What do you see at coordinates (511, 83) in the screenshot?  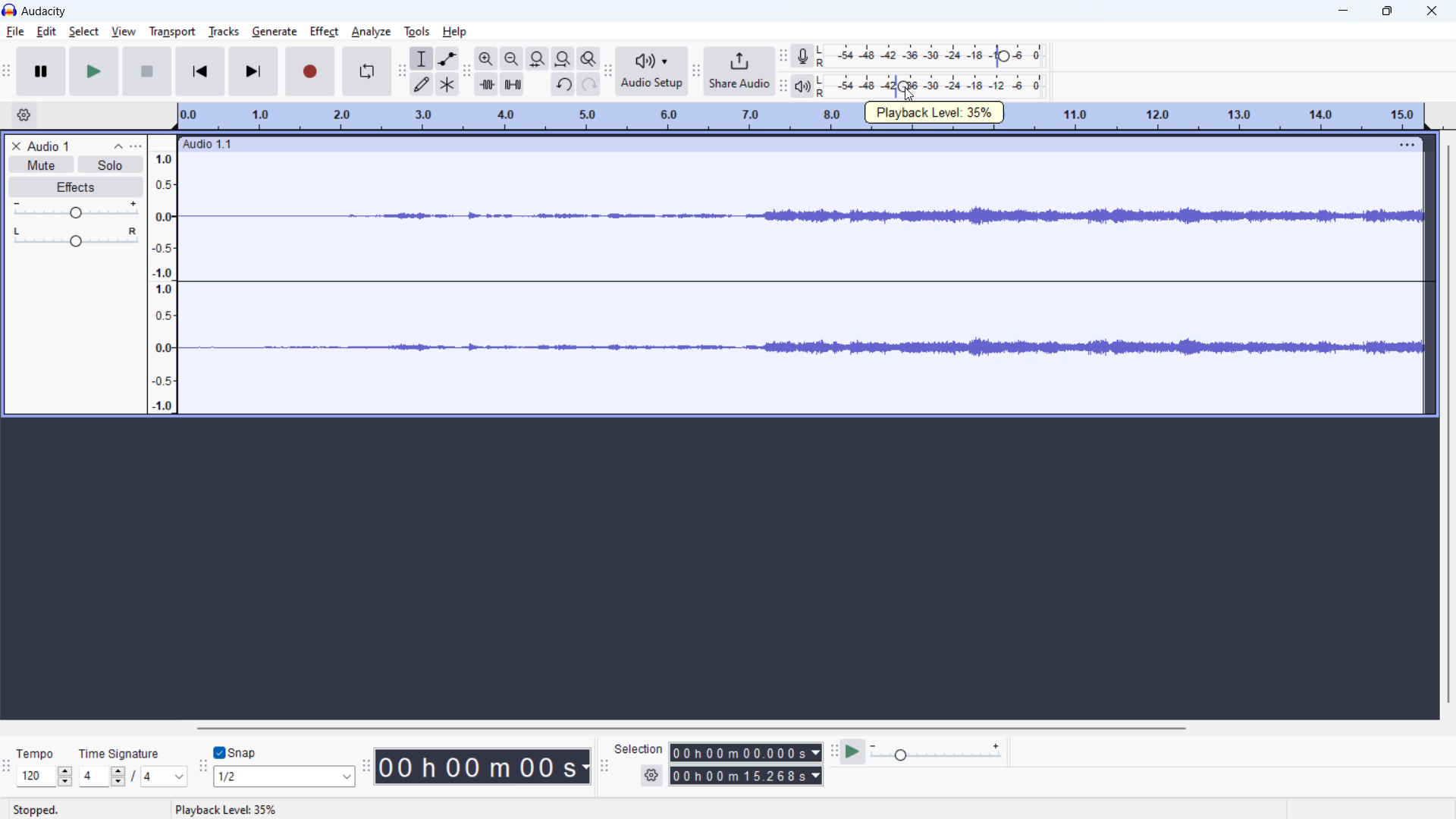 I see `silence selection` at bounding box center [511, 83].